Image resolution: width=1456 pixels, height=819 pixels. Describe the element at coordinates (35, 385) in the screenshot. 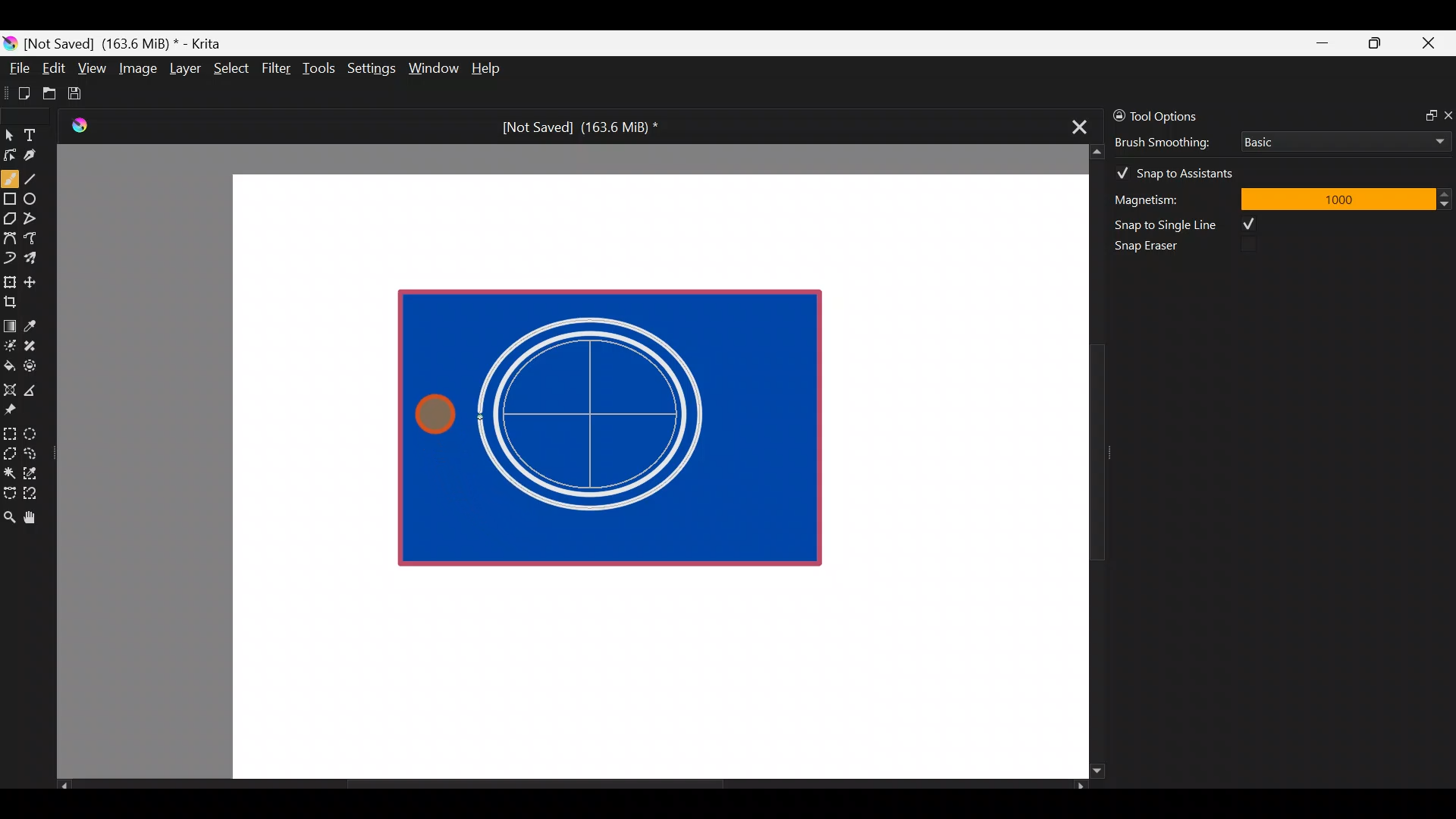

I see `Measure the distance between two points` at that location.